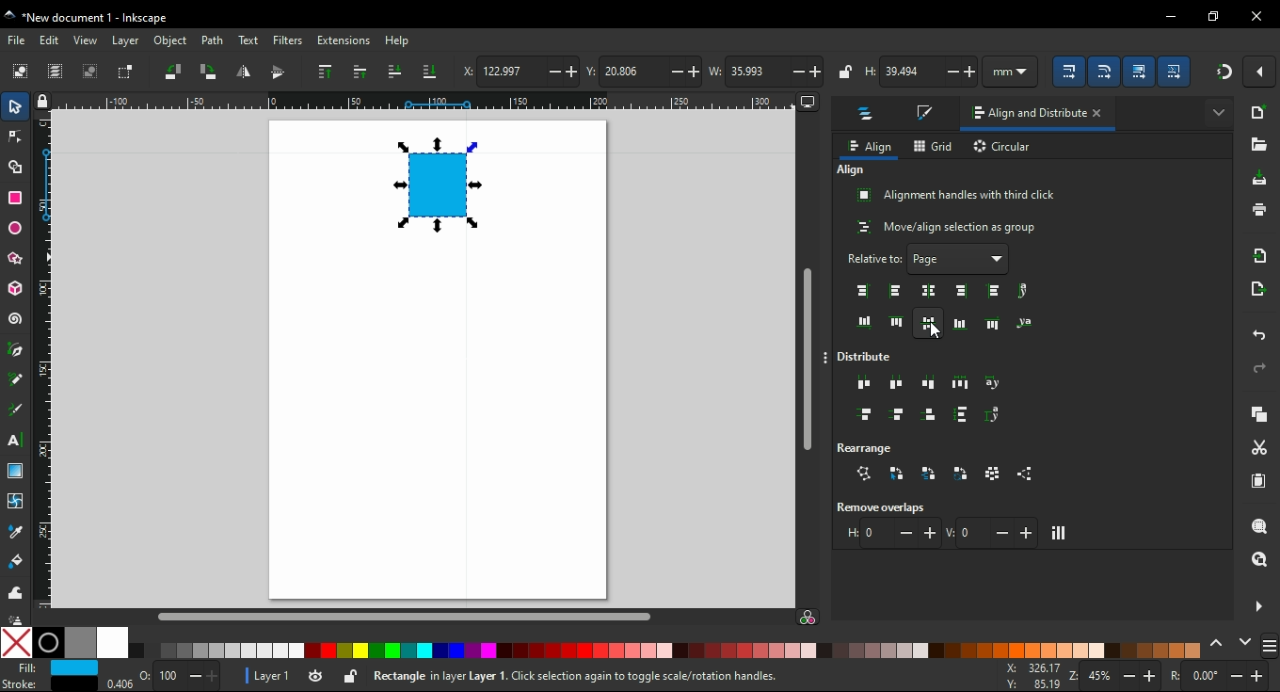 Image resolution: width=1280 pixels, height=692 pixels. I want to click on previous, so click(1219, 642).